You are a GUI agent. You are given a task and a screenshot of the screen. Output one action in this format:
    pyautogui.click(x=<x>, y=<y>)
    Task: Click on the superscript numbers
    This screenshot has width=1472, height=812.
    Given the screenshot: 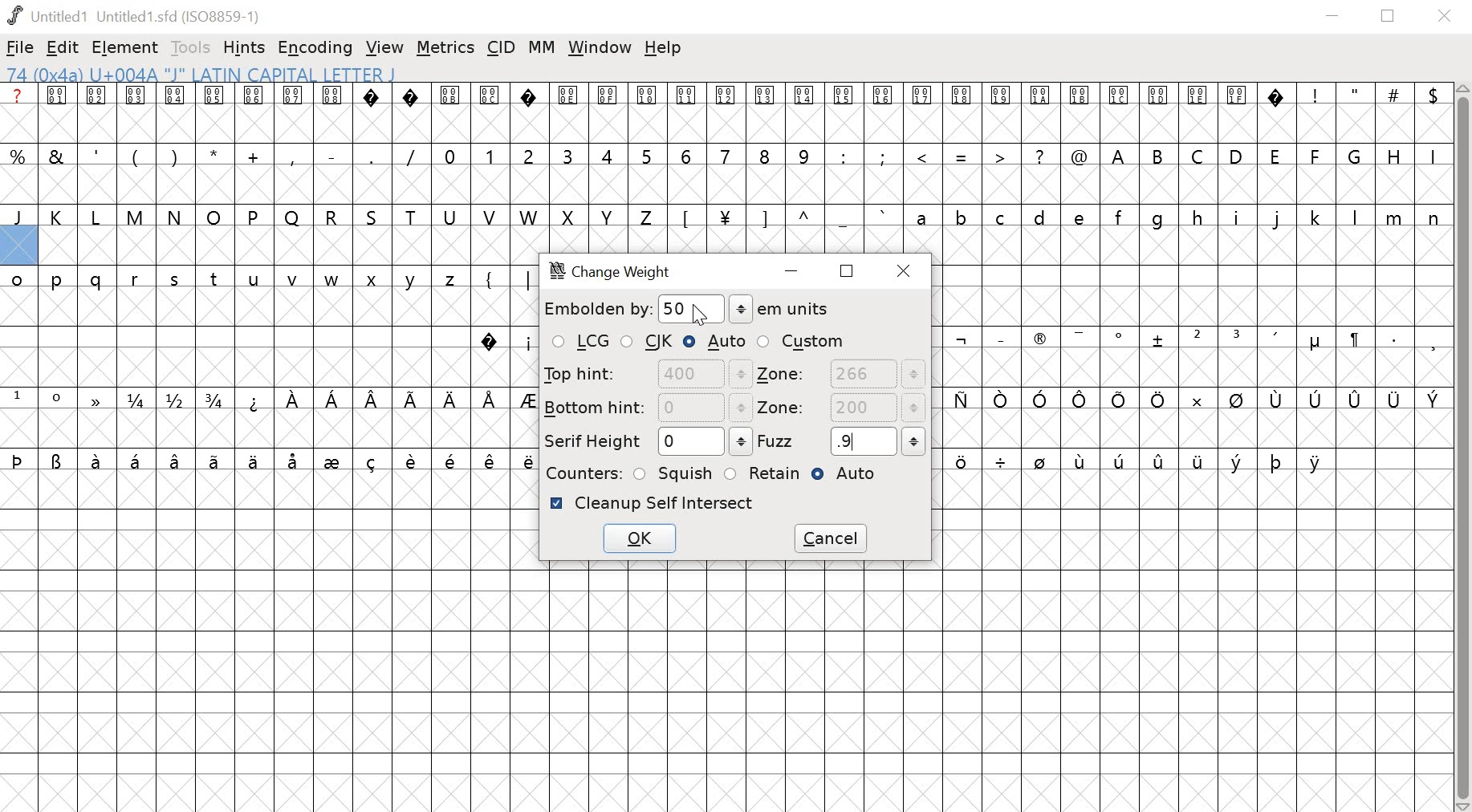 What is the action you would take?
    pyautogui.click(x=38, y=397)
    